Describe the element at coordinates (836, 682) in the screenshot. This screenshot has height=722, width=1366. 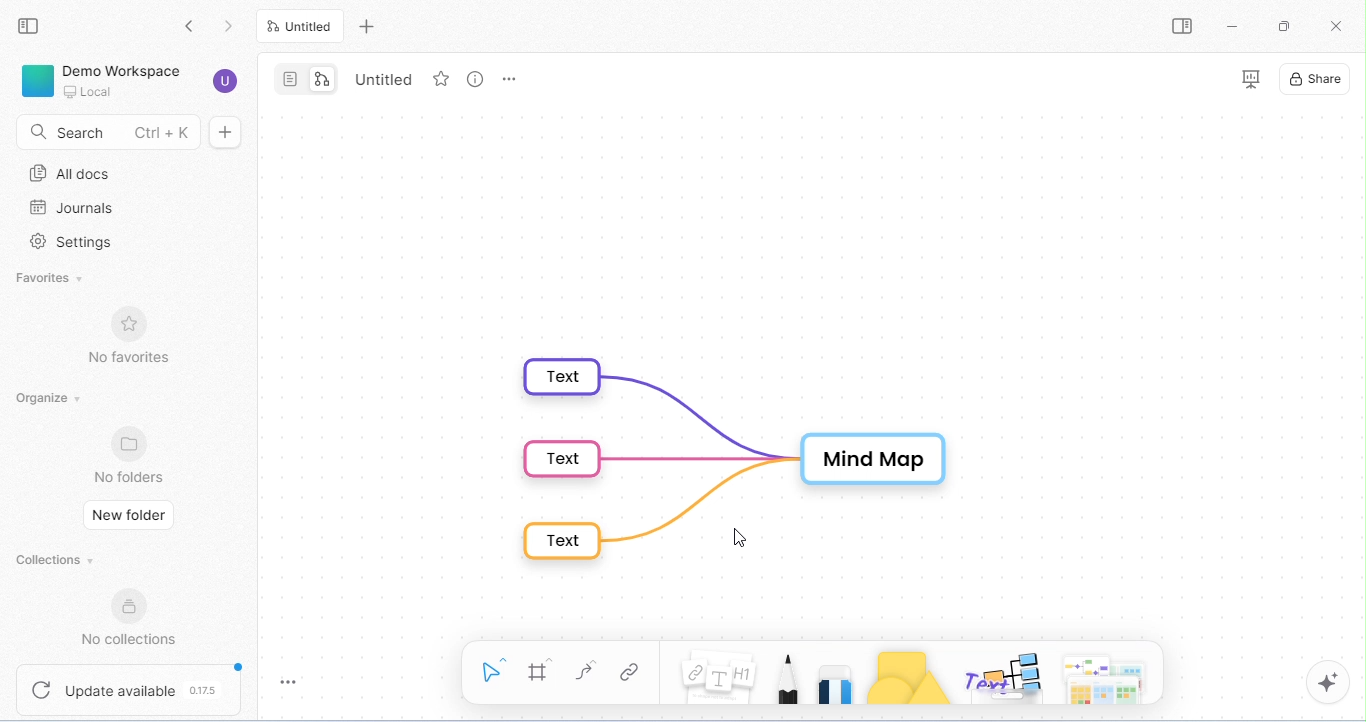
I see `eraser` at that location.